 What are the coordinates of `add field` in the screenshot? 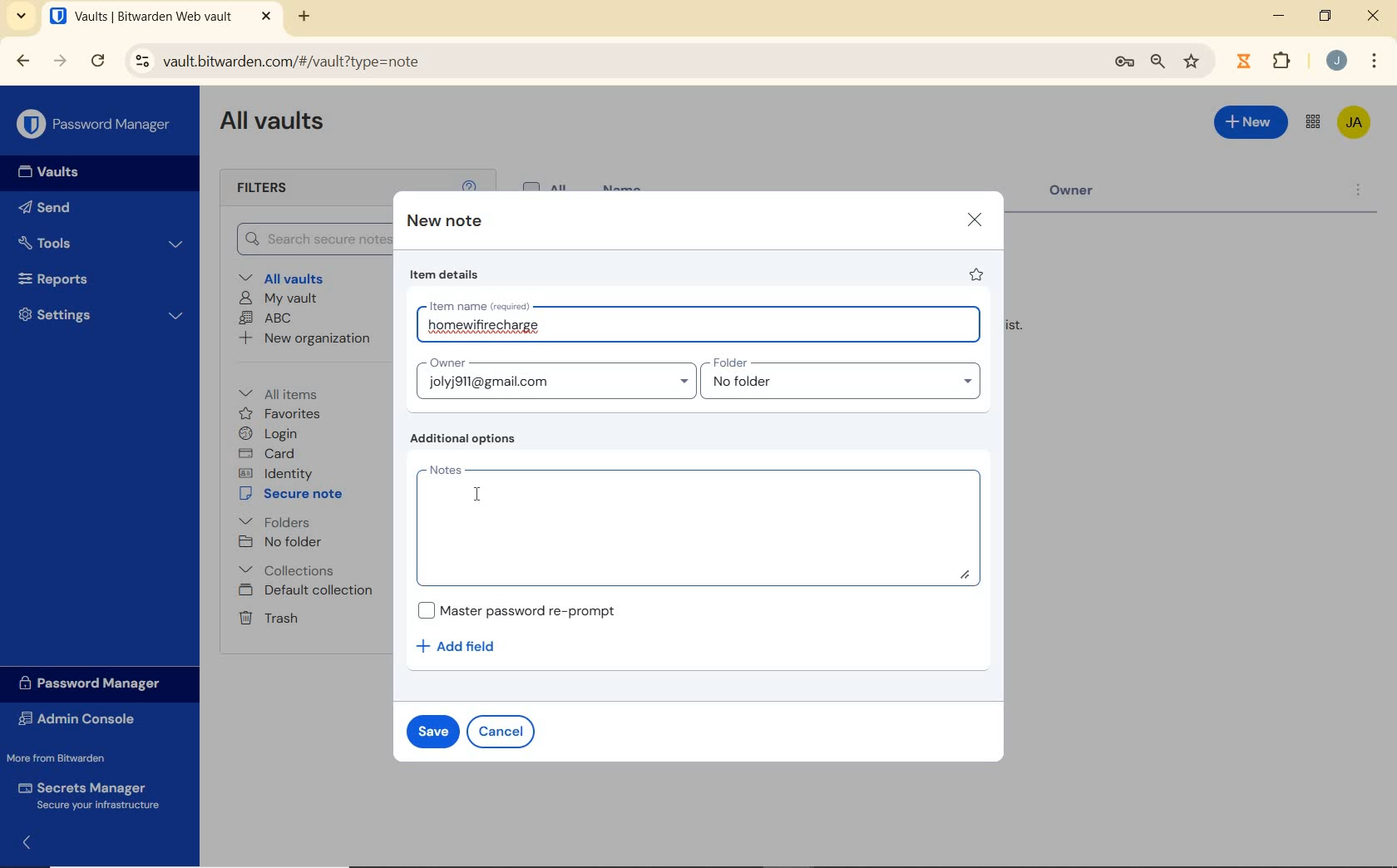 It's located at (467, 647).